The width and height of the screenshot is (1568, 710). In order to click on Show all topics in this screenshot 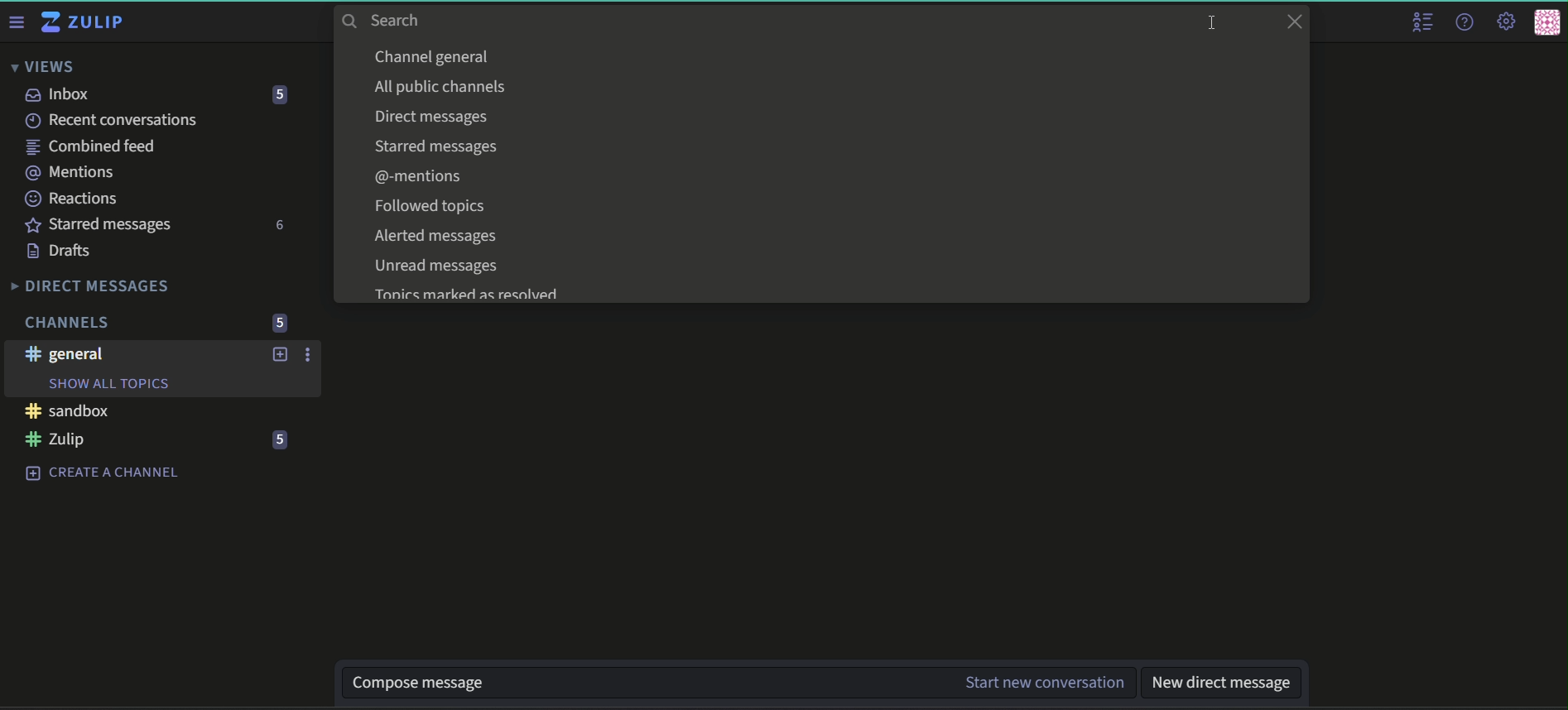, I will do `click(112, 383)`.